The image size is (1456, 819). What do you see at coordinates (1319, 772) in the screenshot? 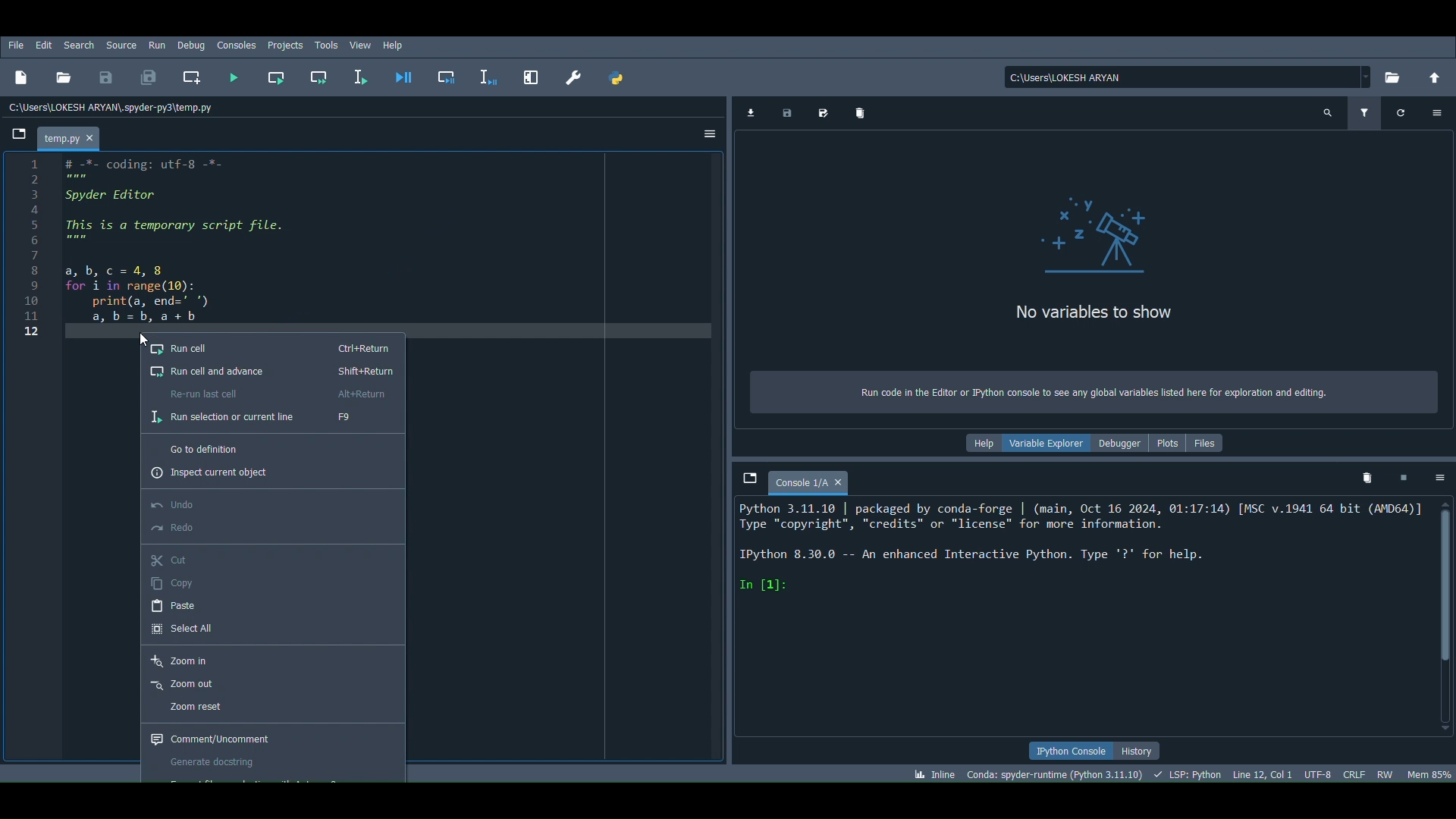
I see `Encoding` at bounding box center [1319, 772].